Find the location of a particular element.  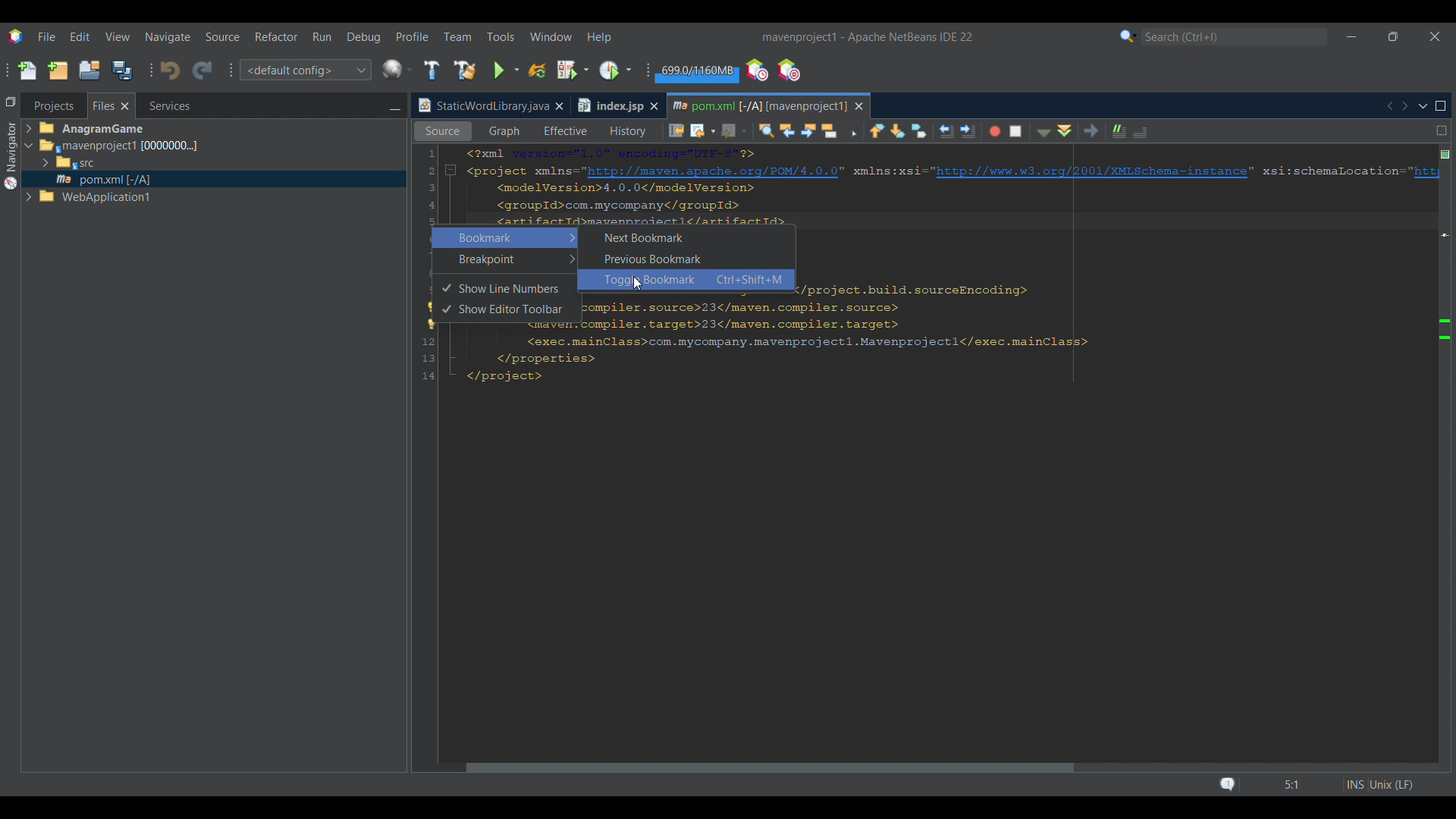

Toggle bookmark is located at coordinates (919, 130).